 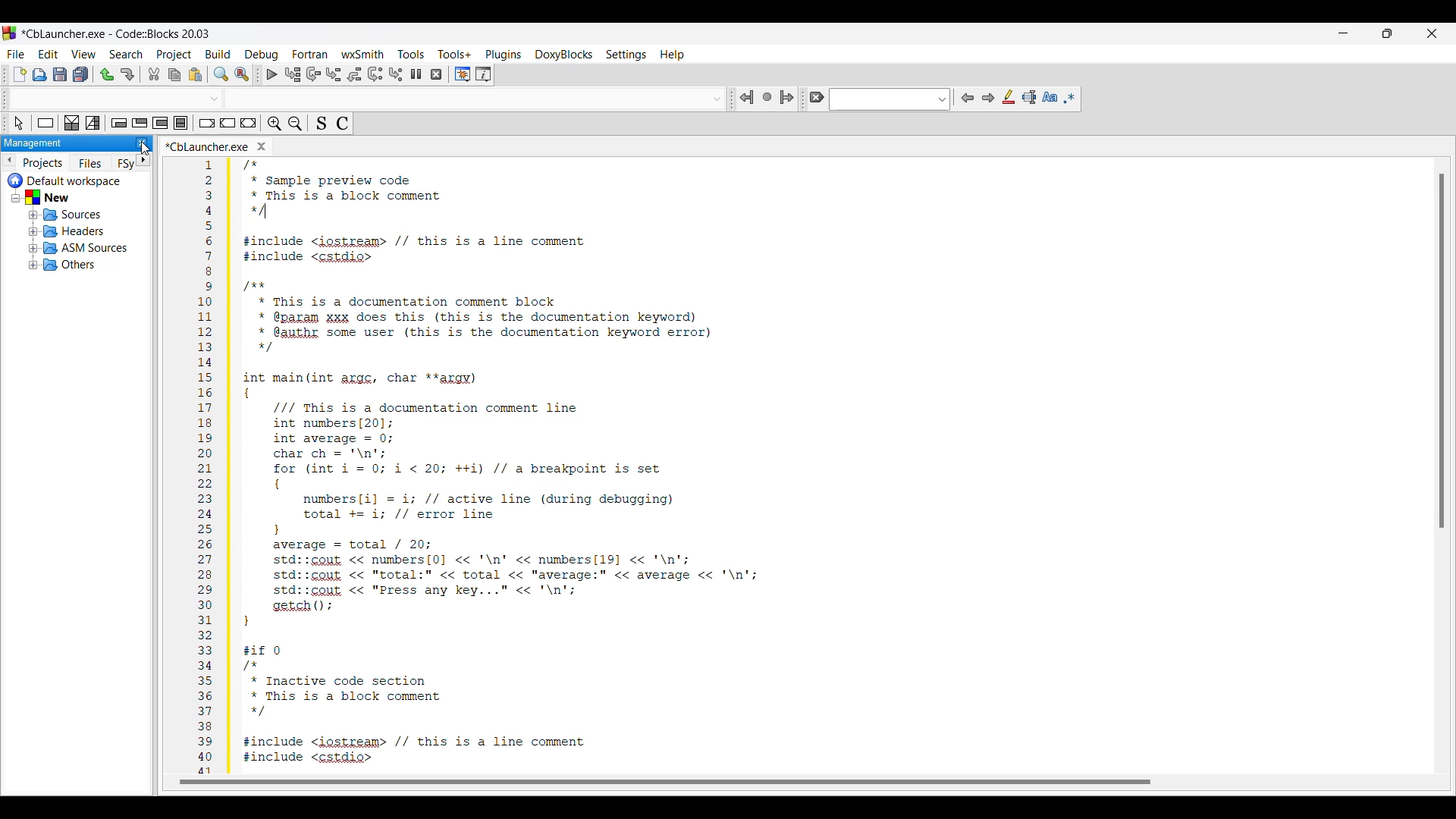 I want to click on Project tree tab, current tab, so click(x=44, y=162).